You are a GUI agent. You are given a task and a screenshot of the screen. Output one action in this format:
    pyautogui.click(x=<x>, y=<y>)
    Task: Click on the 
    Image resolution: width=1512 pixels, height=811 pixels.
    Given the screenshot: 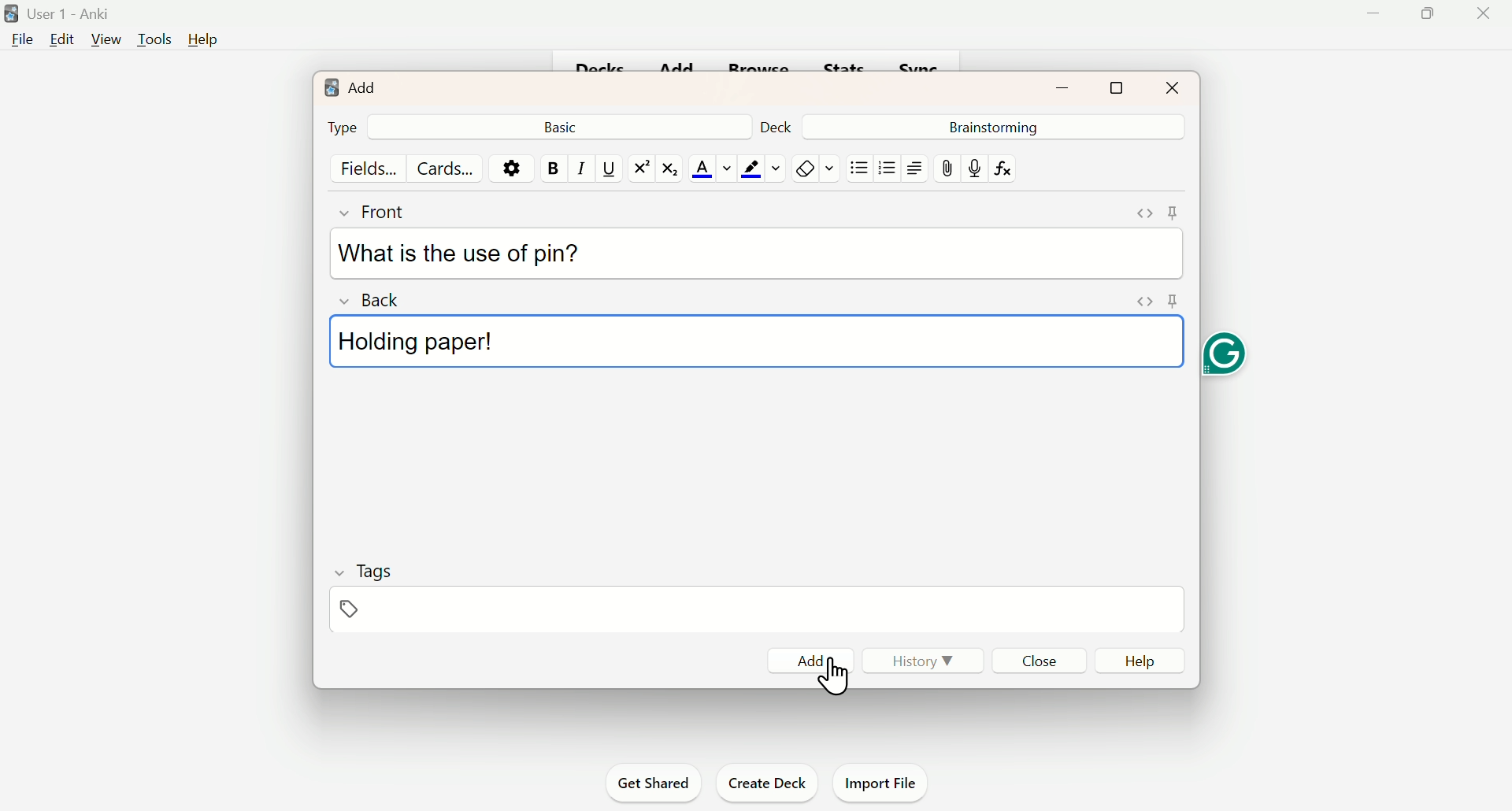 What is the action you would take?
    pyautogui.click(x=350, y=128)
    